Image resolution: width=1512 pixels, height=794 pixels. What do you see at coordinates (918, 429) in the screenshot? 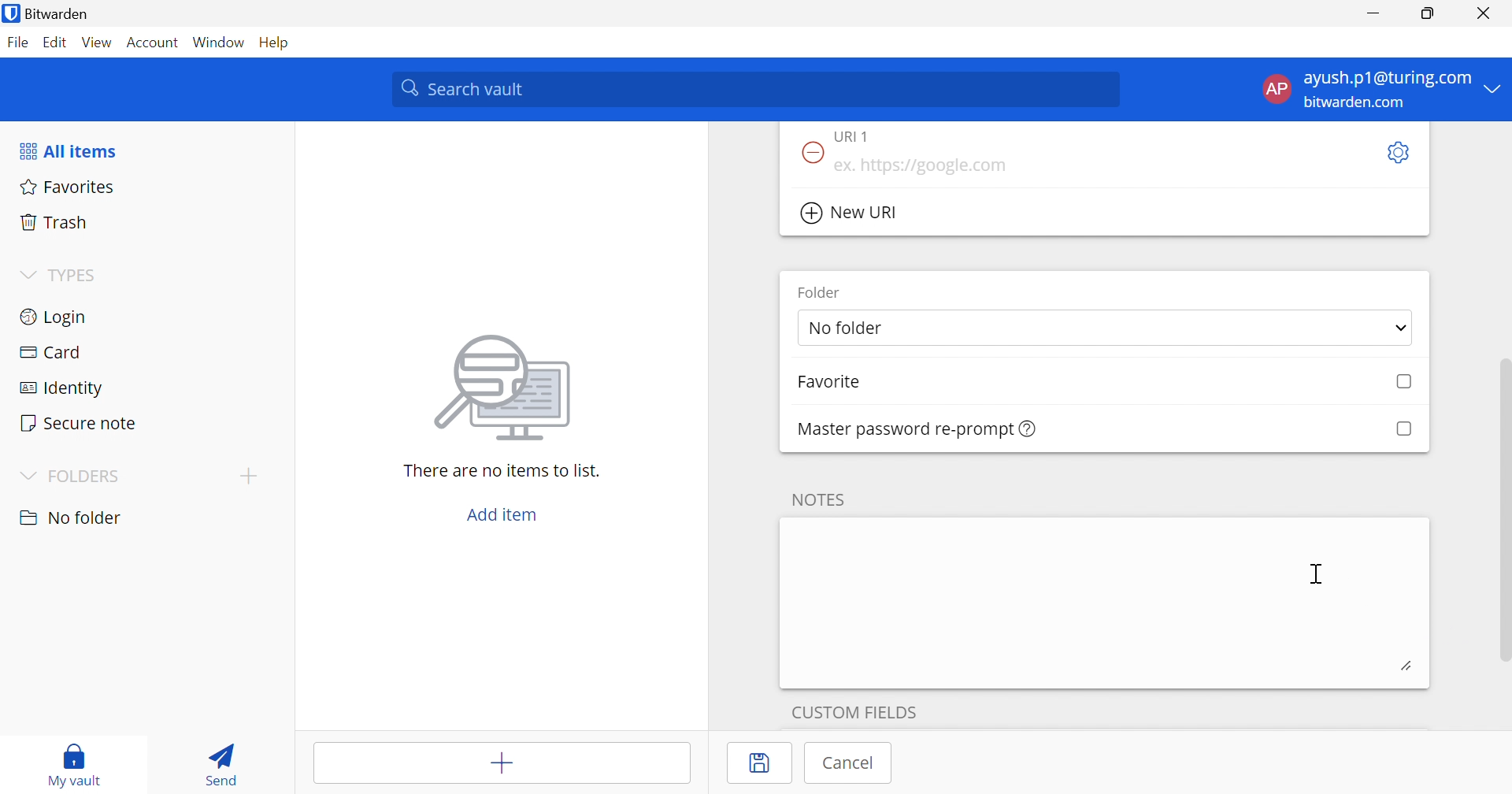
I see `Master password re-prompt` at bounding box center [918, 429].